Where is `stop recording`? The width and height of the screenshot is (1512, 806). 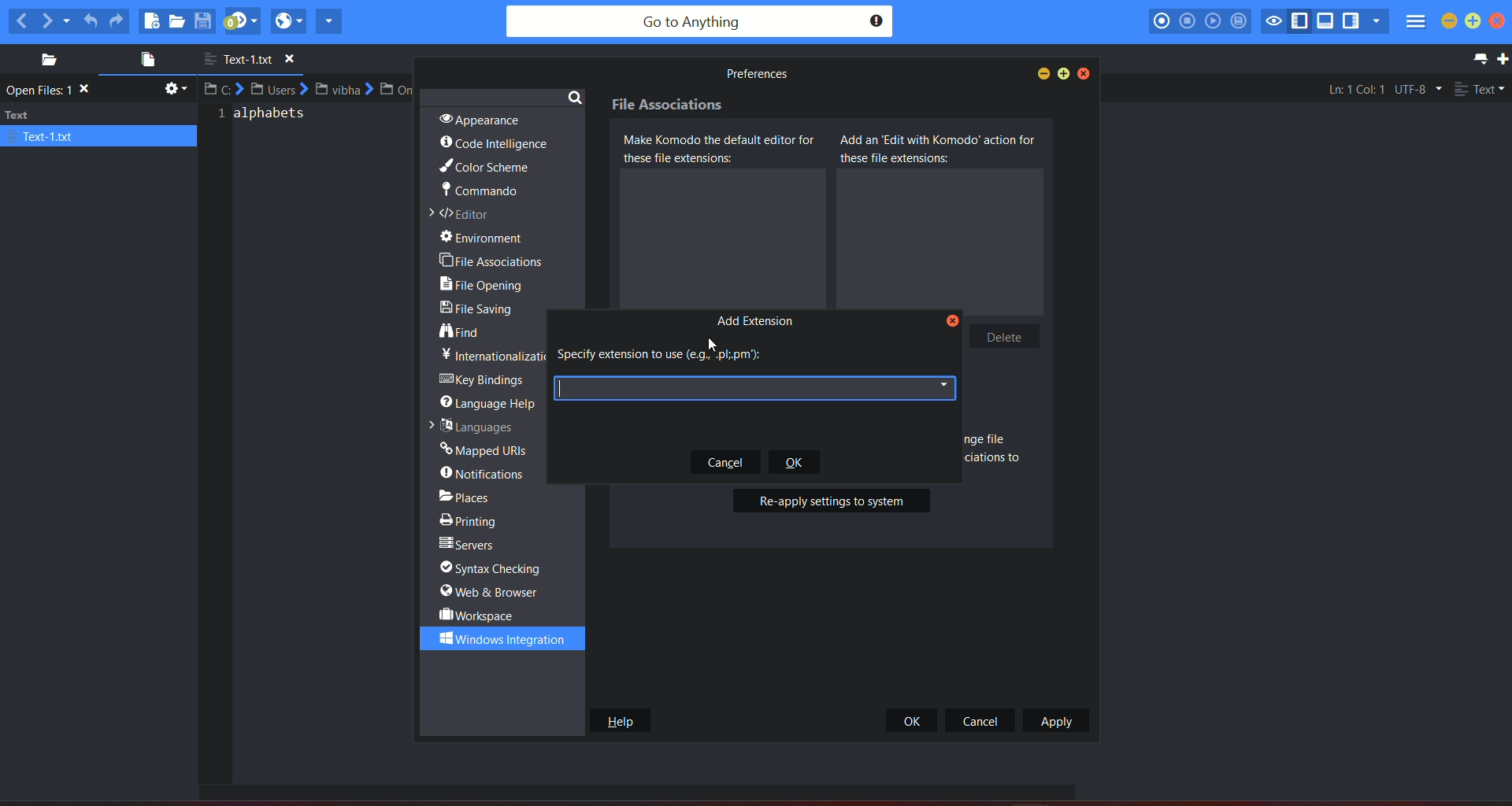 stop recording is located at coordinates (1188, 20).